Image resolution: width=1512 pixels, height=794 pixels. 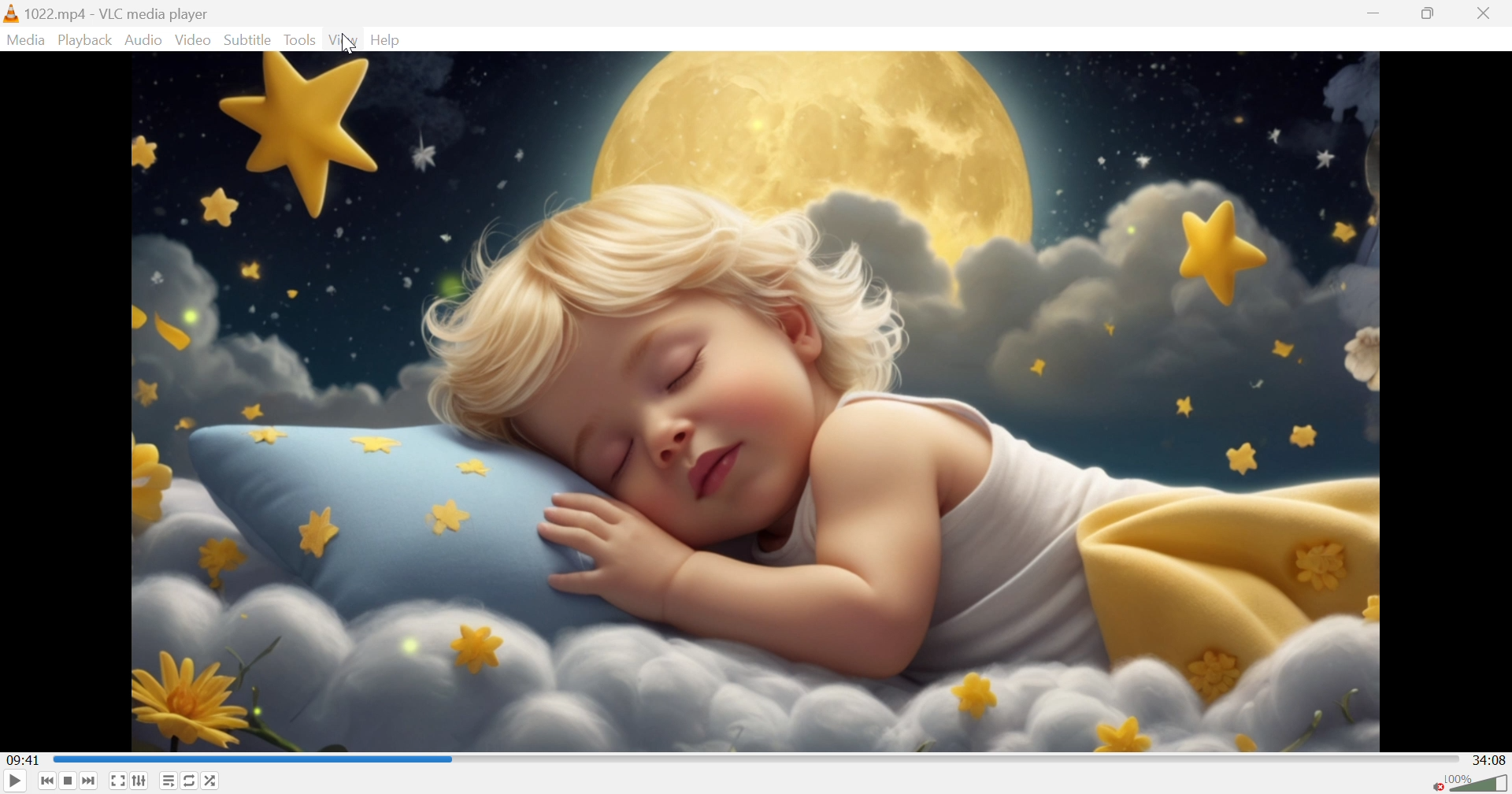 I want to click on wallpaper, so click(x=757, y=403).